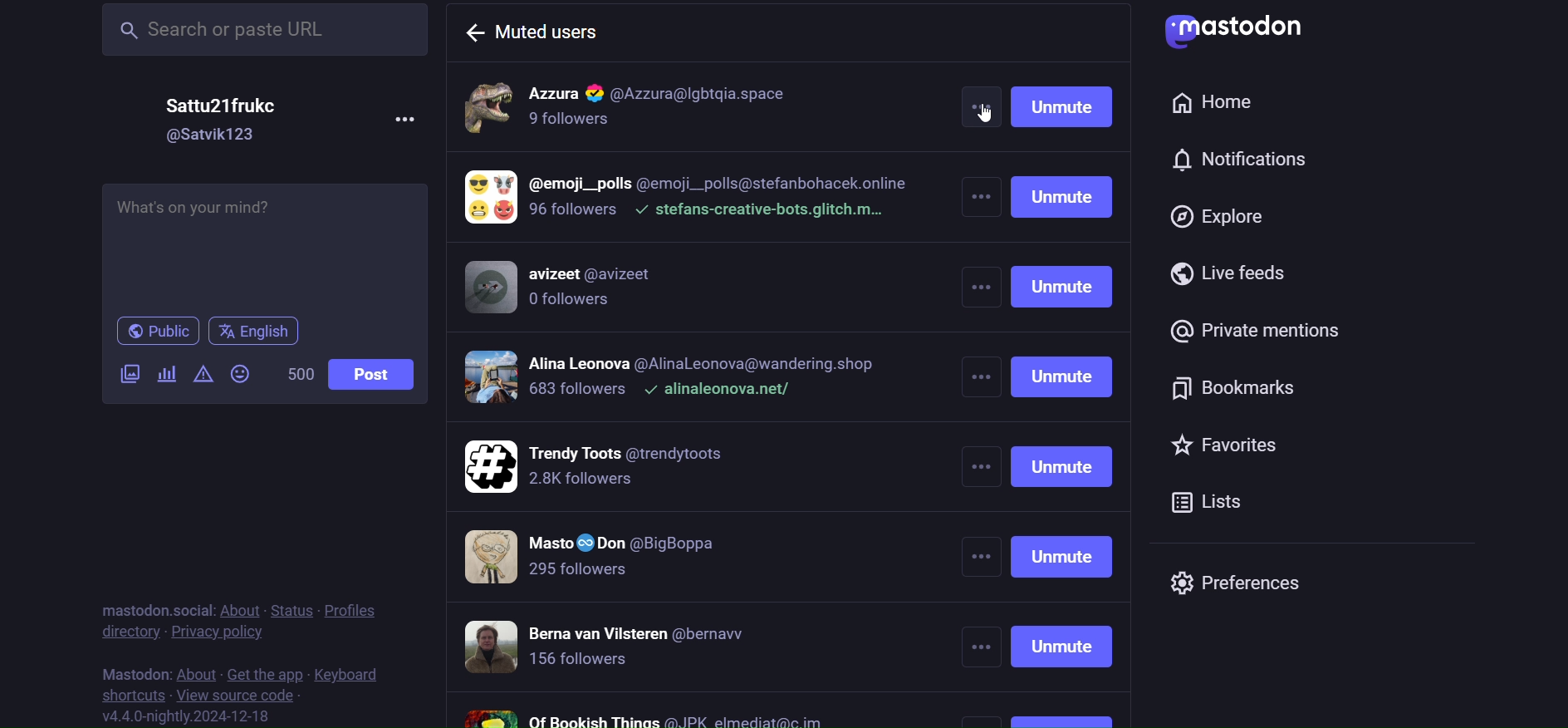 The image size is (1568, 728). Describe the element at coordinates (377, 374) in the screenshot. I see `post` at that location.